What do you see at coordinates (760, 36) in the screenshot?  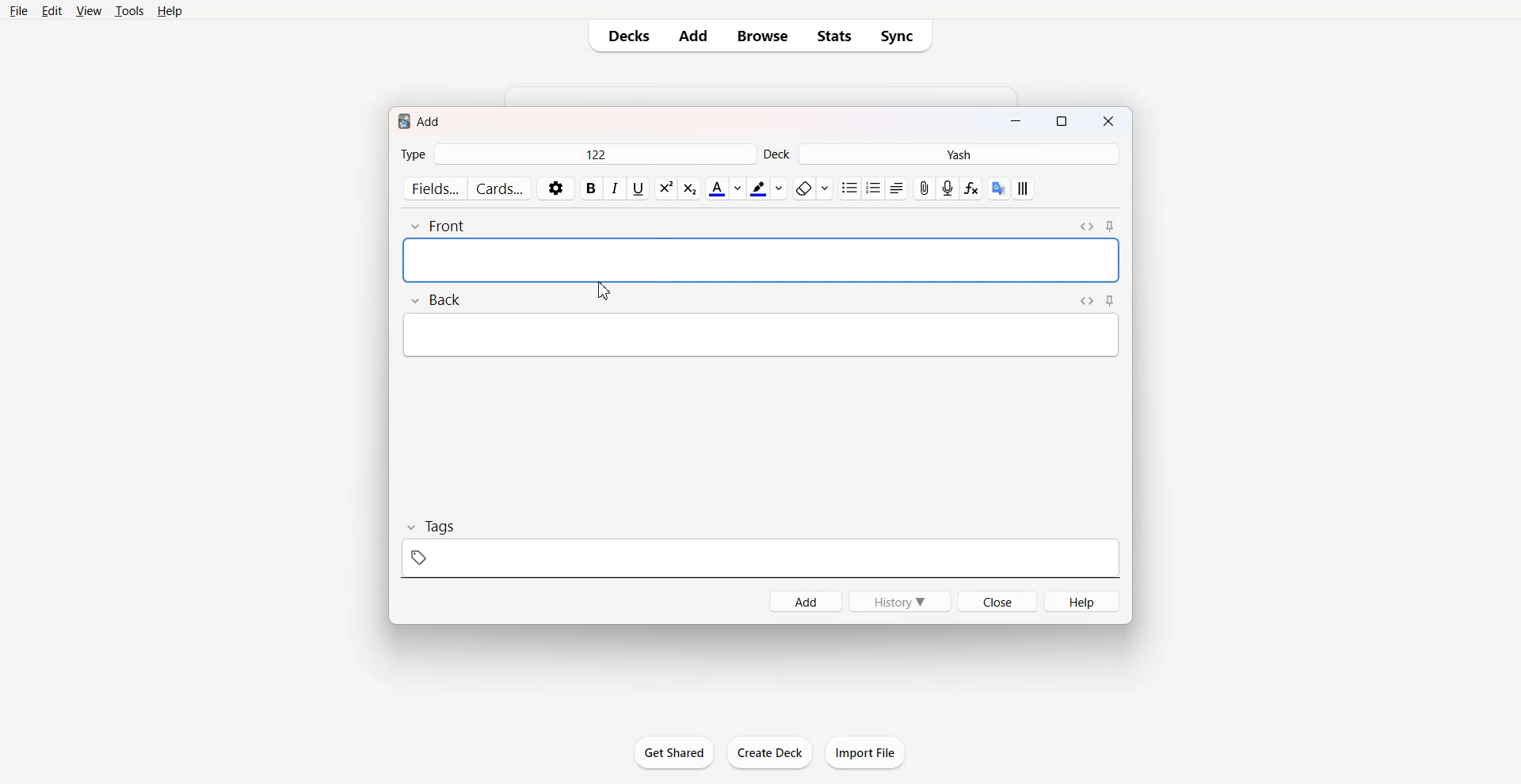 I see `Browse` at bounding box center [760, 36].